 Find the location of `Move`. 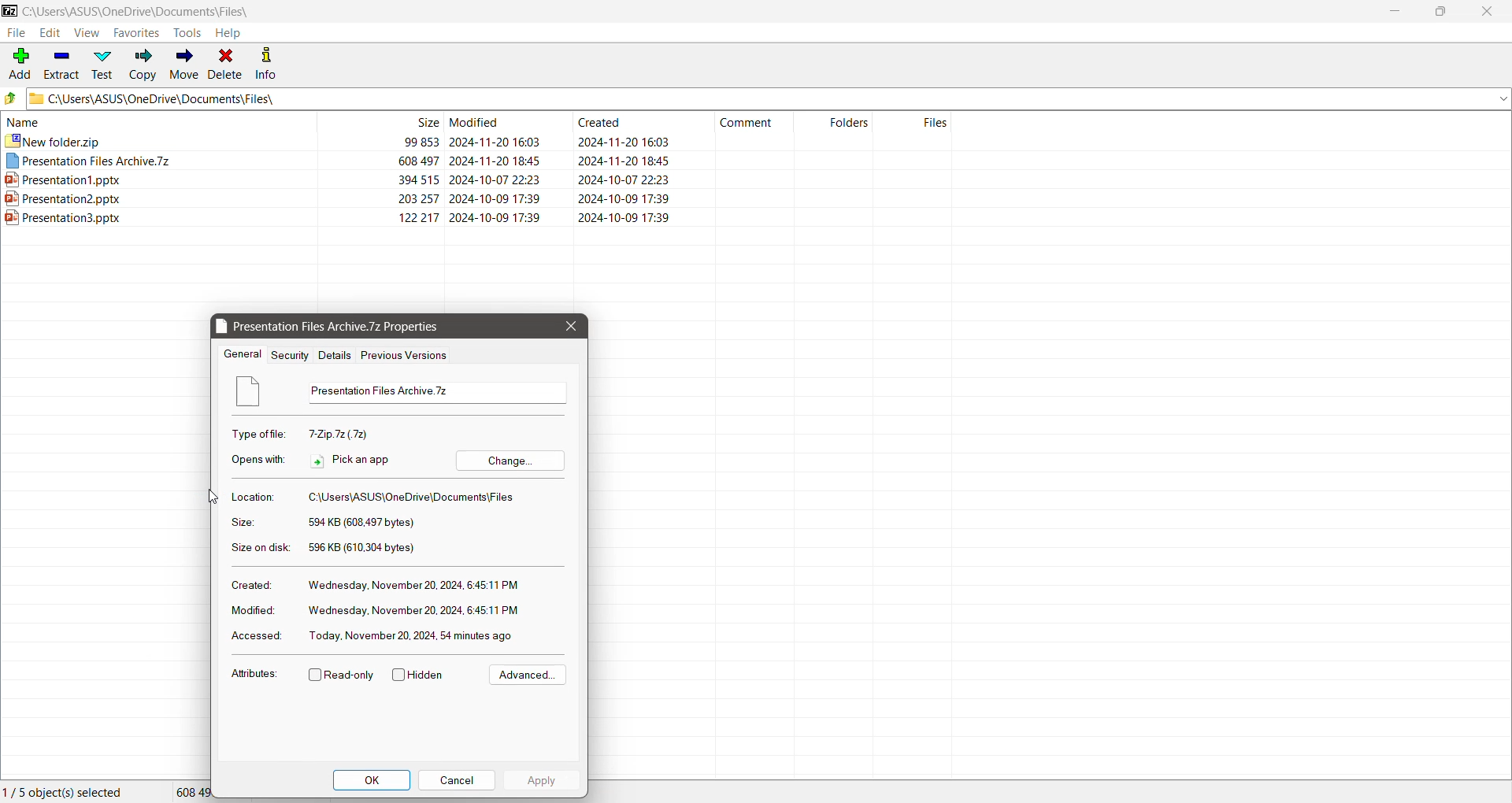

Move is located at coordinates (182, 65).